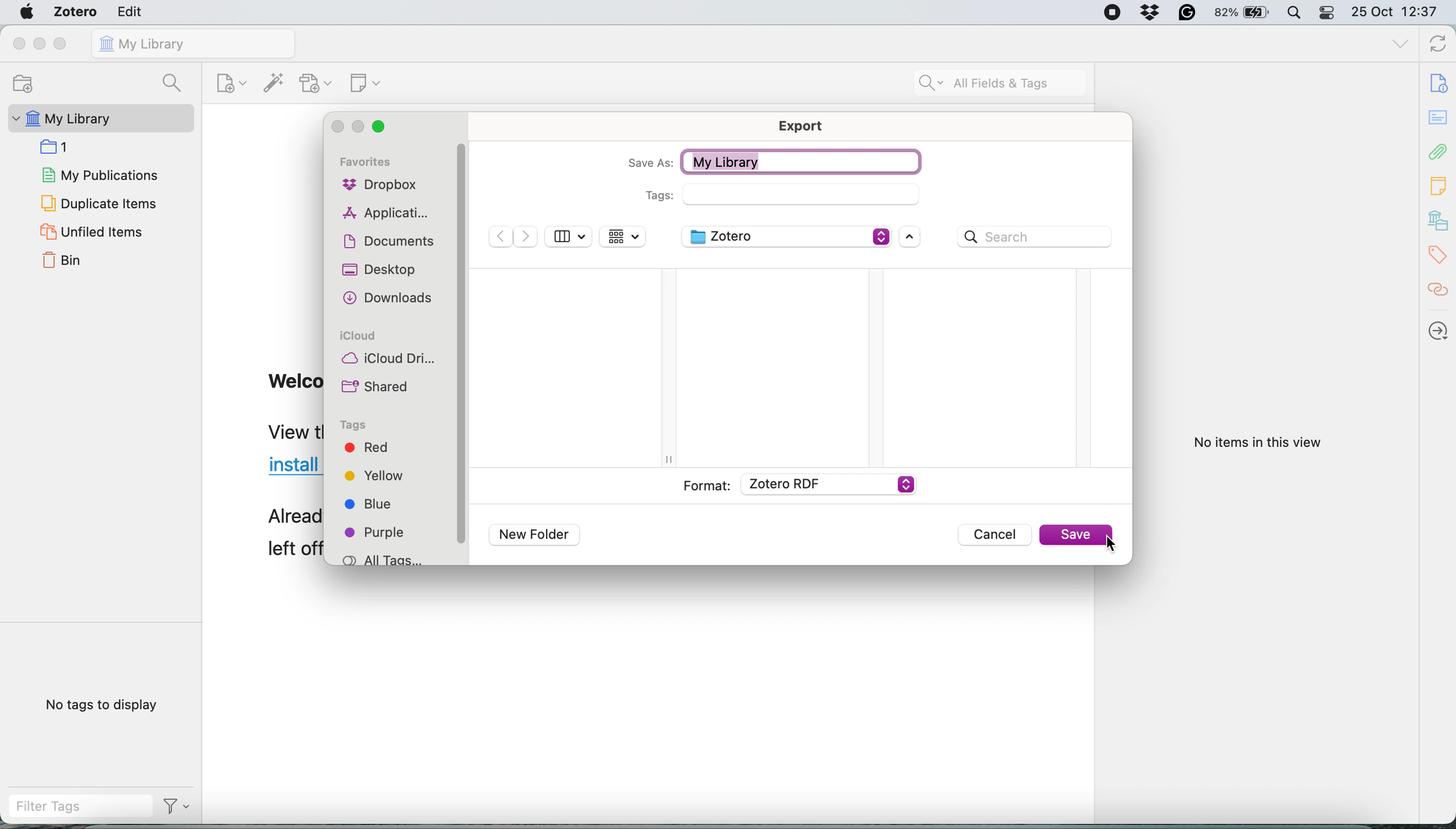 This screenshot has width=1456, height=829. I want to click on Cursor, so click(1110, 543).